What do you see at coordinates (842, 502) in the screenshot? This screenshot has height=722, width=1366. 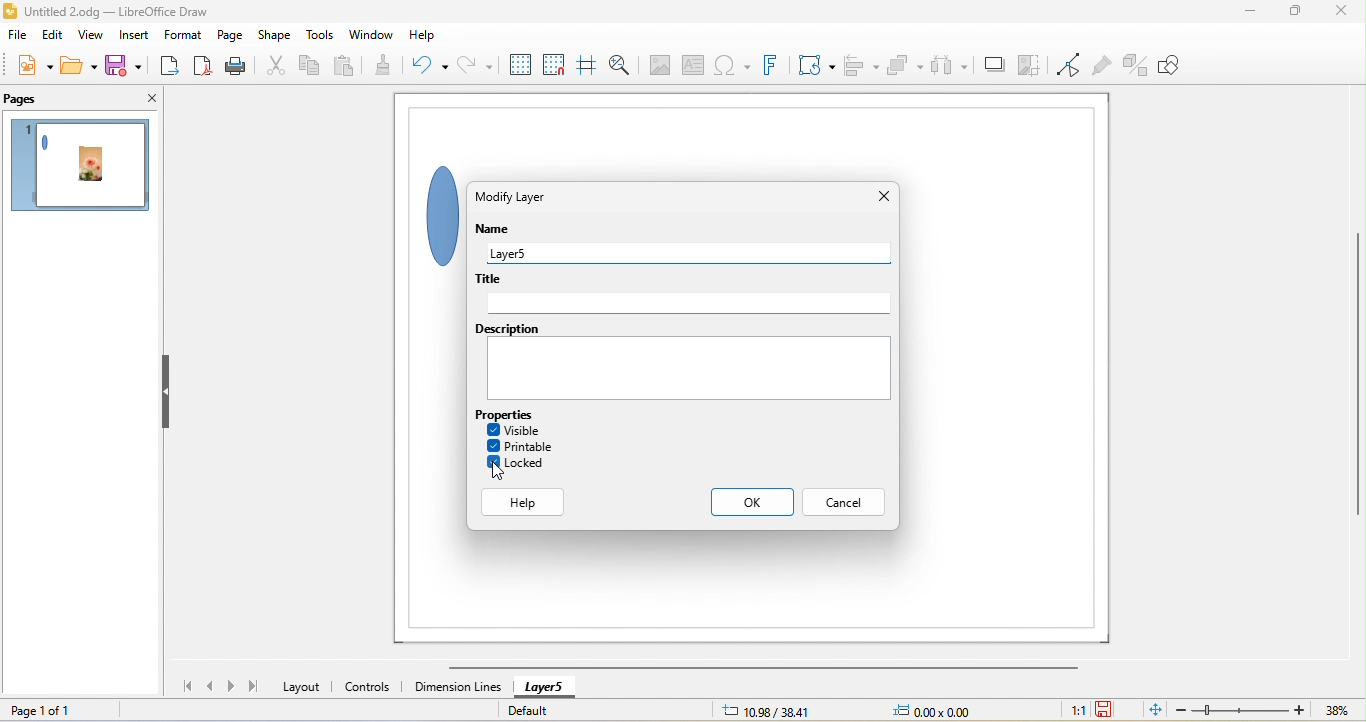 I see `cancel` at bounding box center [842, 502].